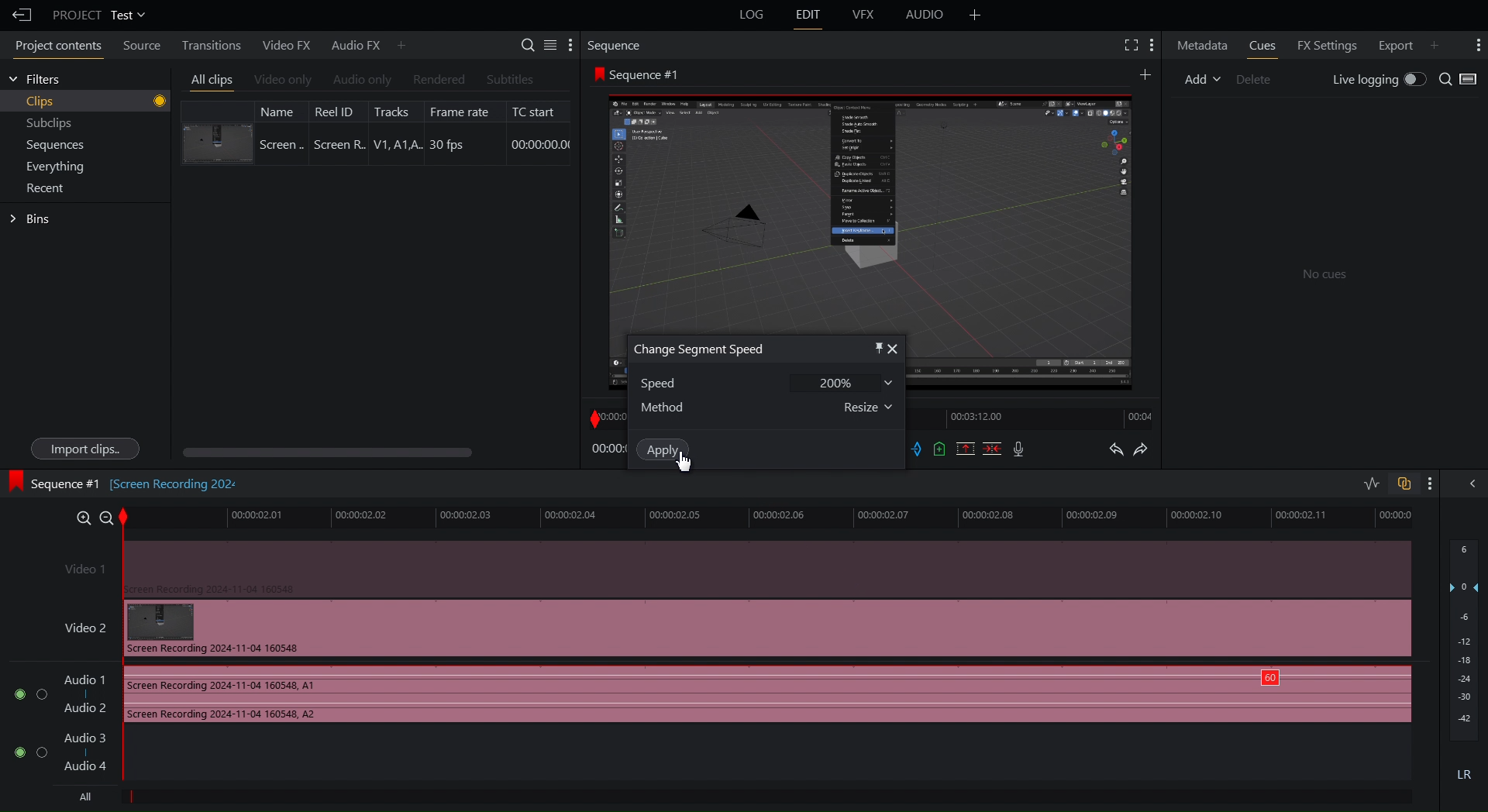 Image resolution: width=1488 pixels, height=812 pixels. Describe the element at coordinates (728, 628) in the screenshot. I see `Video 2` at that location.